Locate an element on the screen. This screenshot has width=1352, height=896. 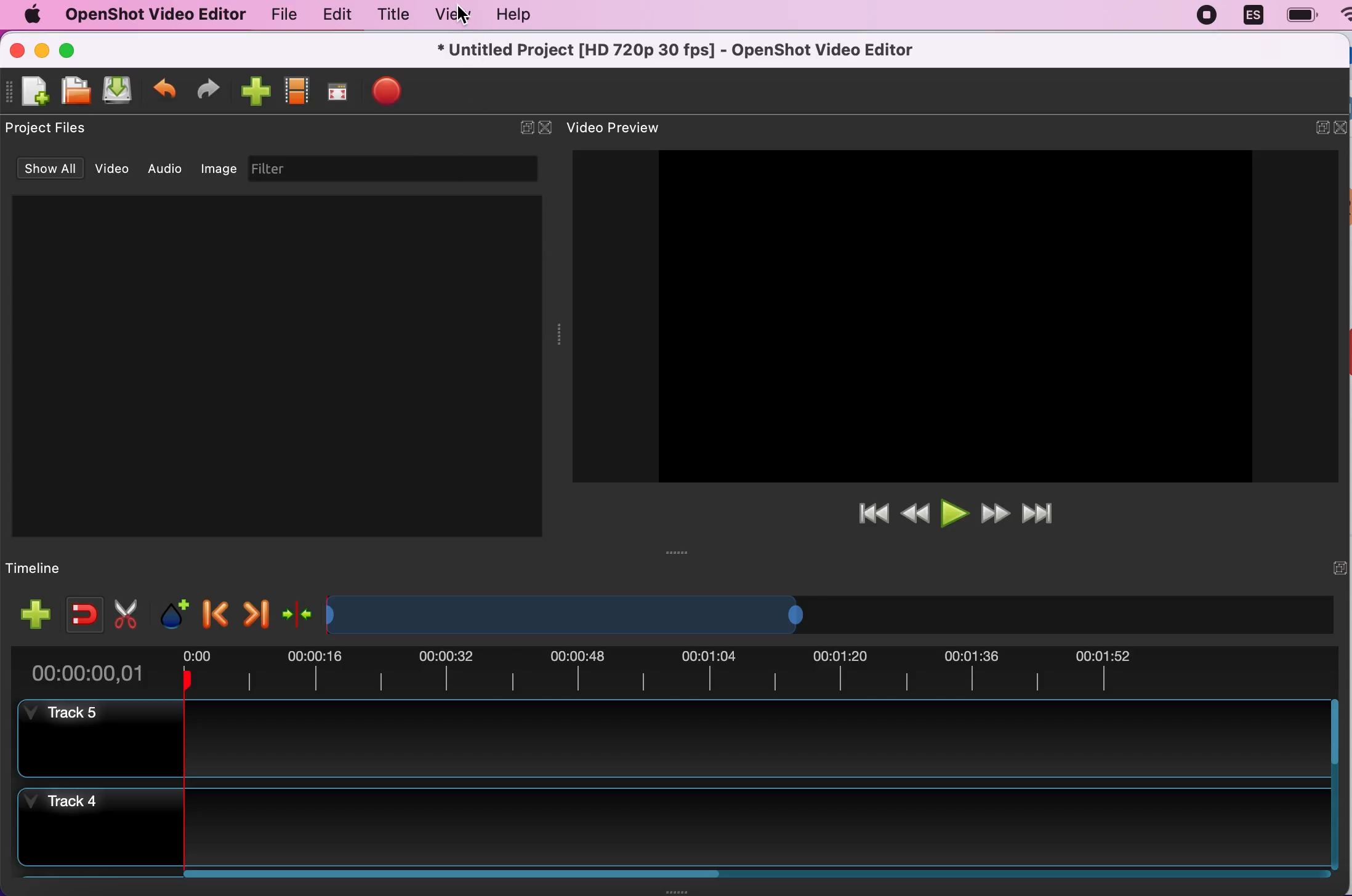
rewind is located at coordinates (915, 514).